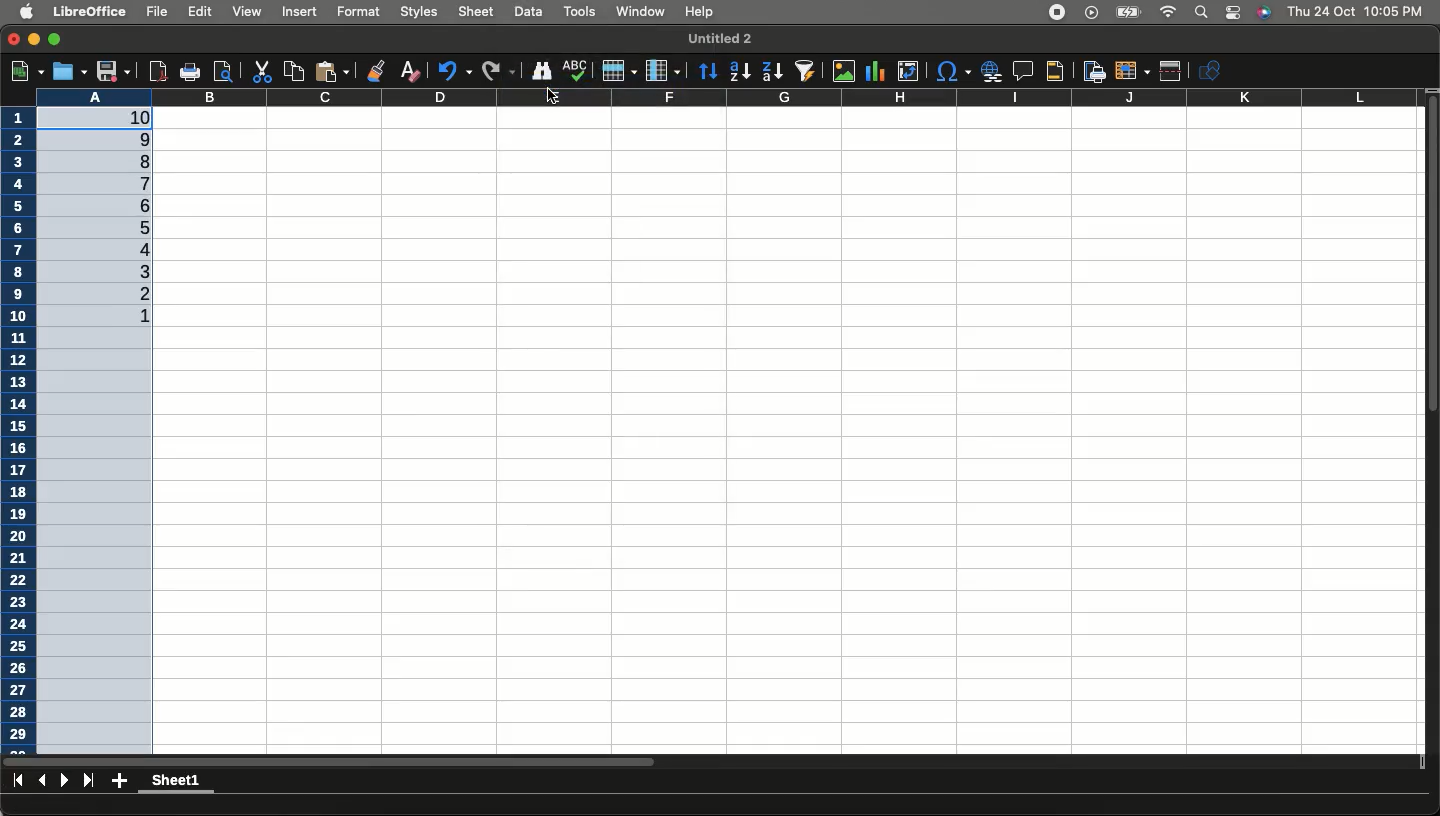 Image resolution: width=1440 pixels, height=816 pixels. Describe the element at coordinates (1131, 71) in the screenshot. I see `Freeze rows and columns` at that location.